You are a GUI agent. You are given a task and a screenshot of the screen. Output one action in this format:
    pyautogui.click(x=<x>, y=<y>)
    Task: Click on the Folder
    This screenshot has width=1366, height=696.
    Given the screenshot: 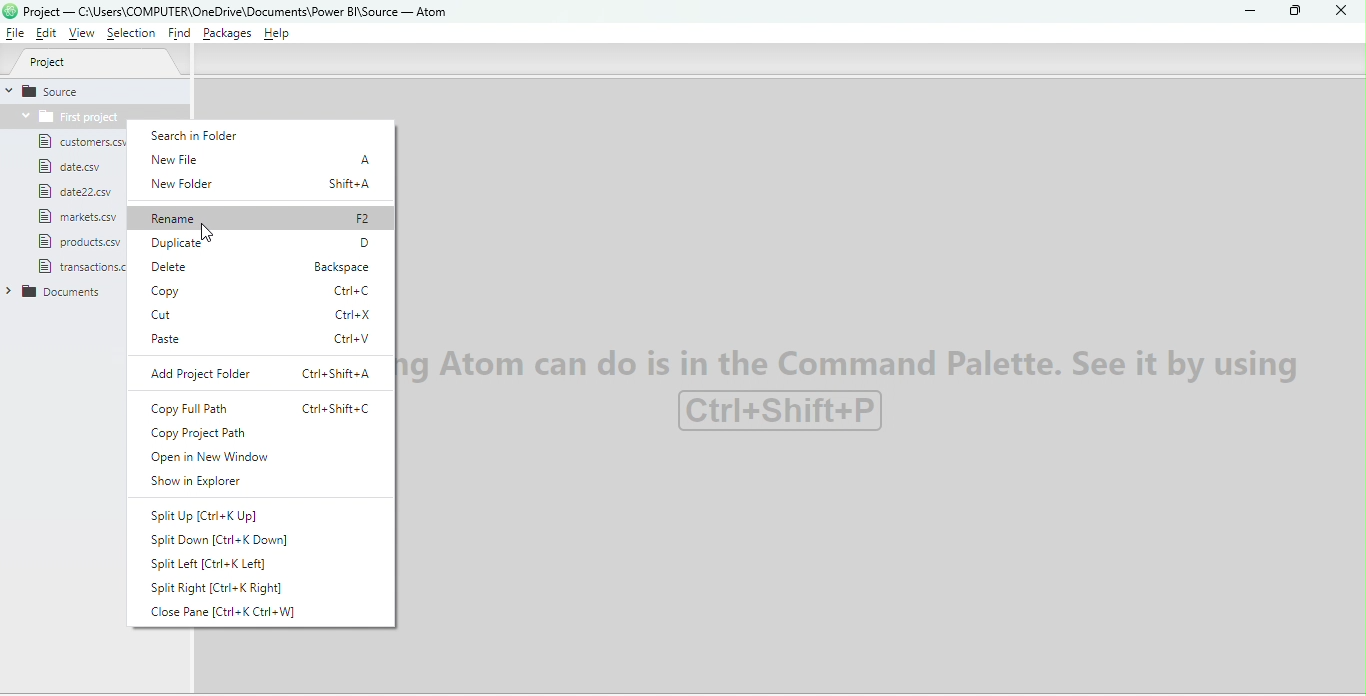 What is the action you would take?
    pyautogui.click(x=61, y=293)
    